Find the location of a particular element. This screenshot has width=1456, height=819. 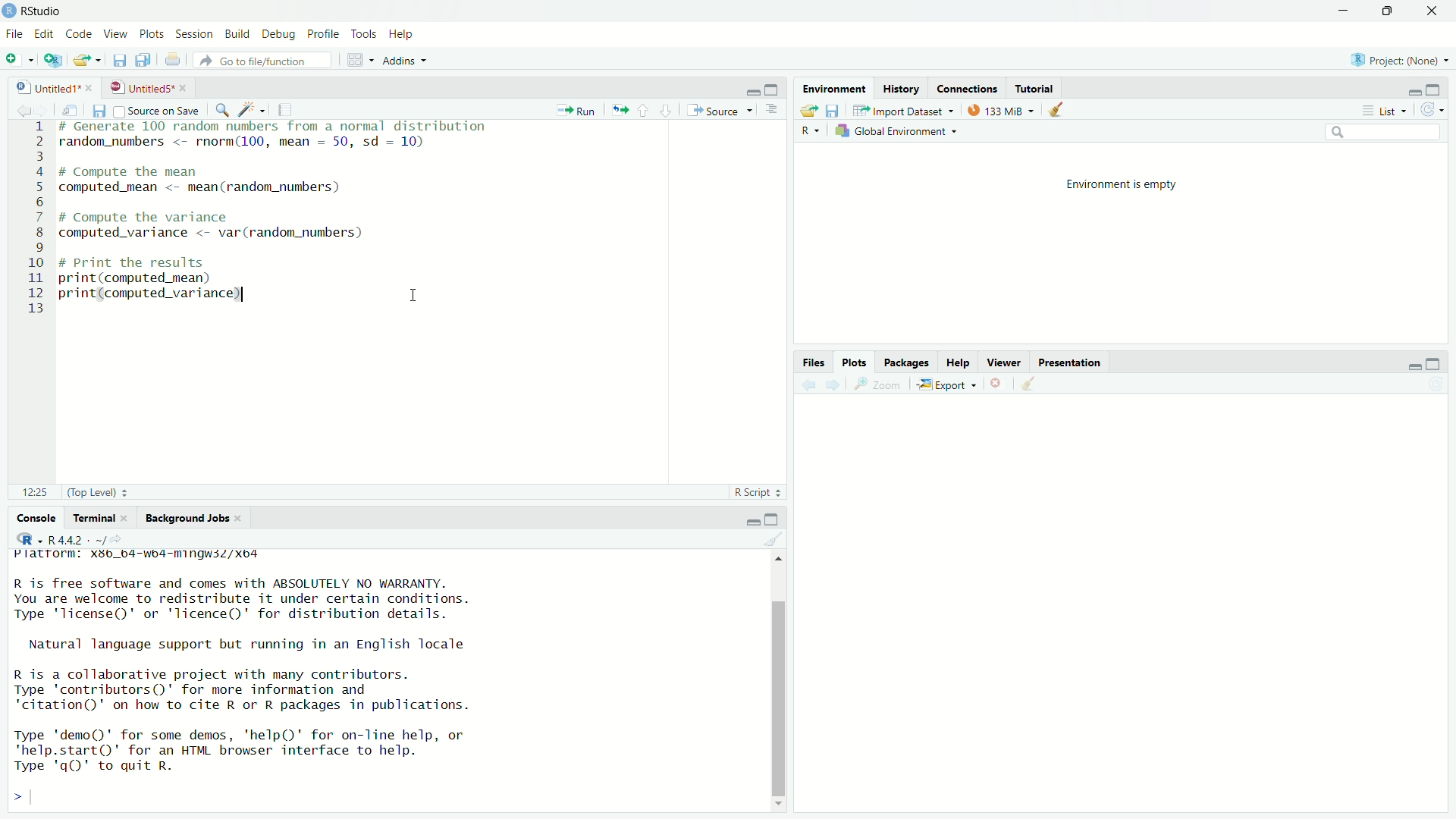

next plot is located at coordinates (836, 386).